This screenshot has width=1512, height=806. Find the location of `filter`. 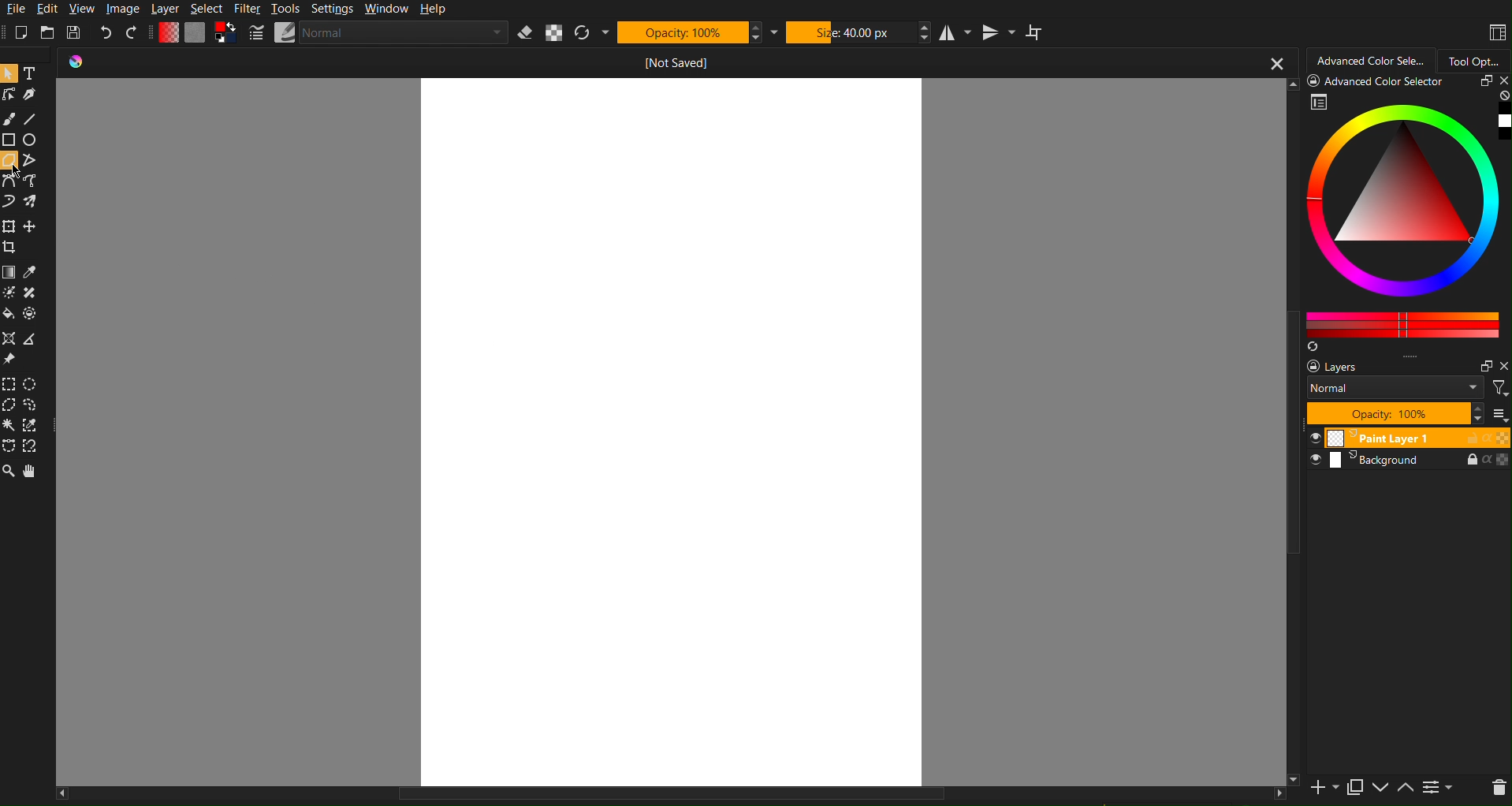

filter is located at coordinates (1500, 388).